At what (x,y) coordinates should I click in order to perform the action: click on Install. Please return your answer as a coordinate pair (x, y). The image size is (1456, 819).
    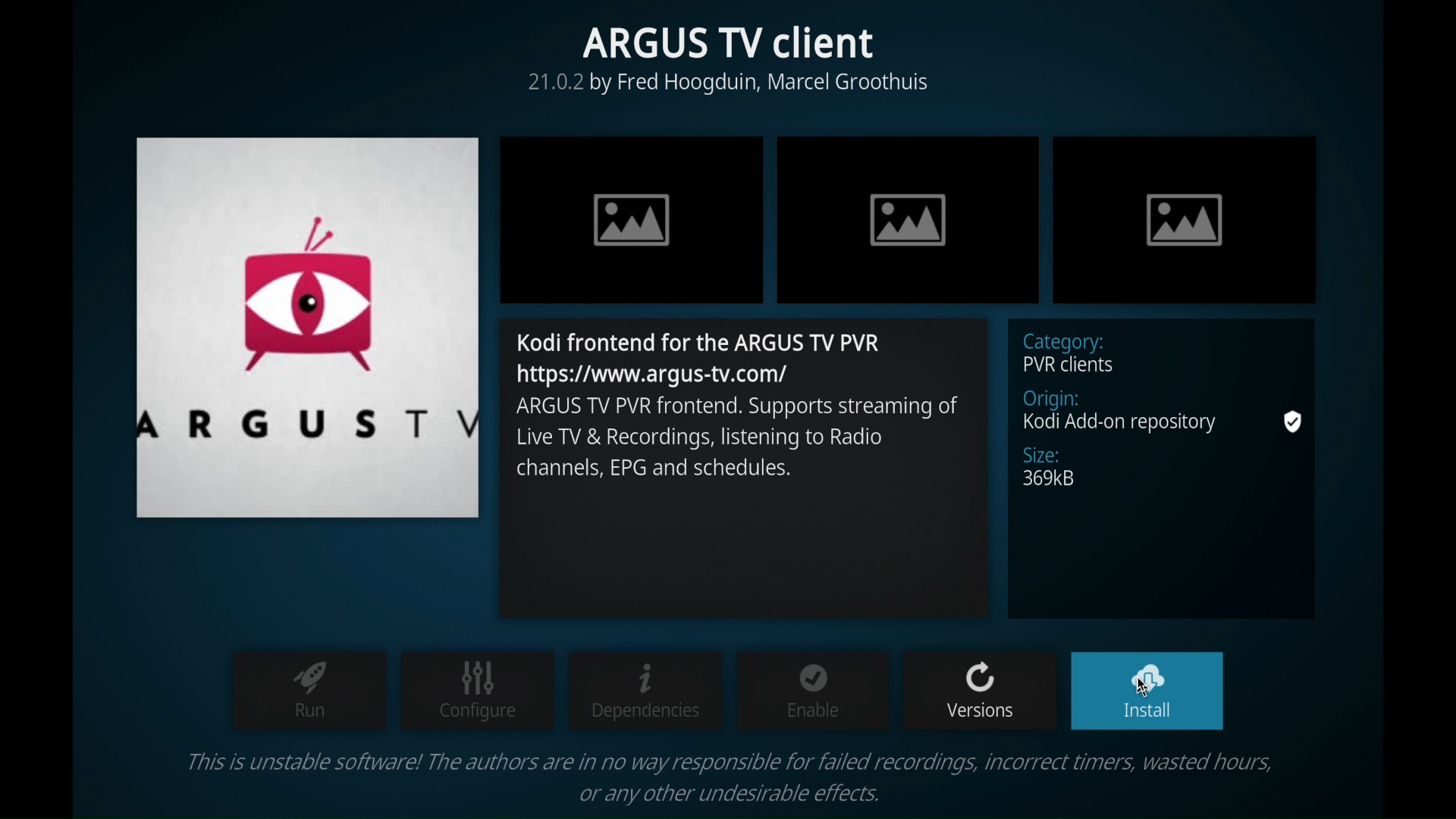
    Looking at the image, I should click on (1149, 692).